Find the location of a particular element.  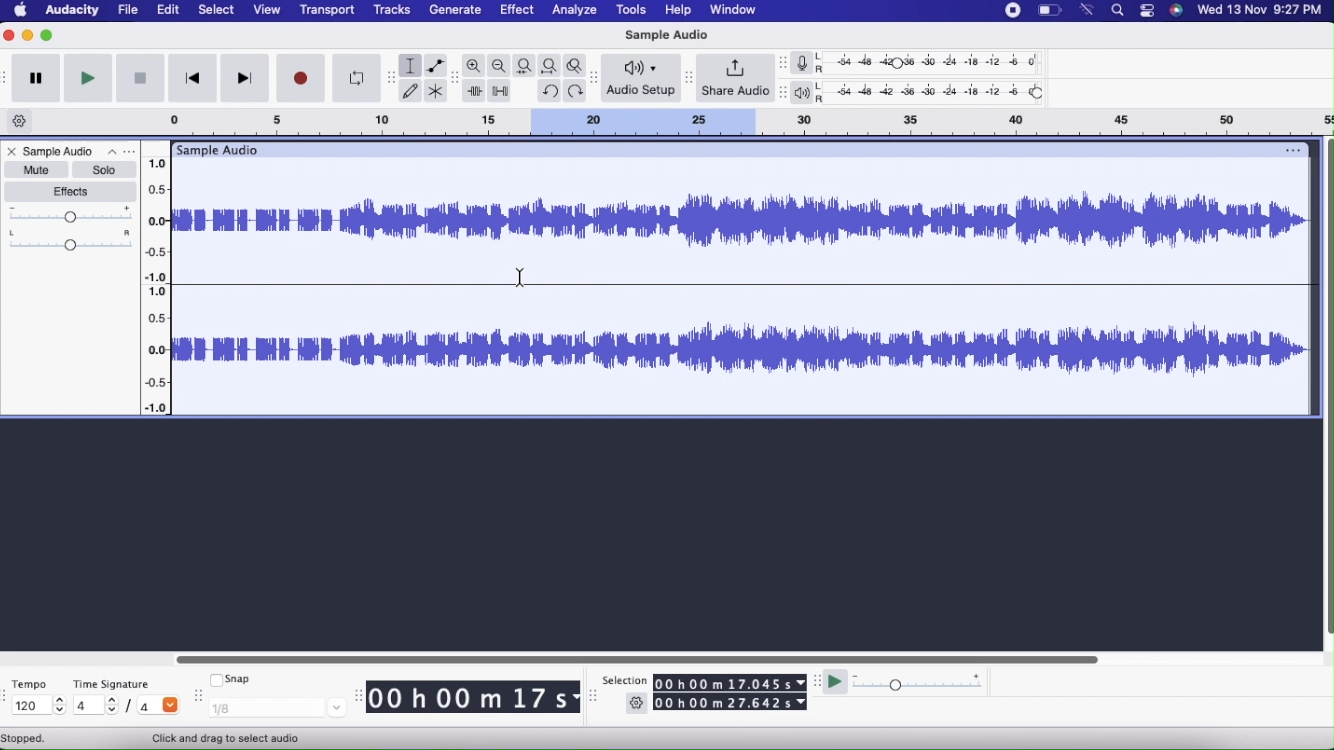

Selection Tool is located at coordinates (230, 738).